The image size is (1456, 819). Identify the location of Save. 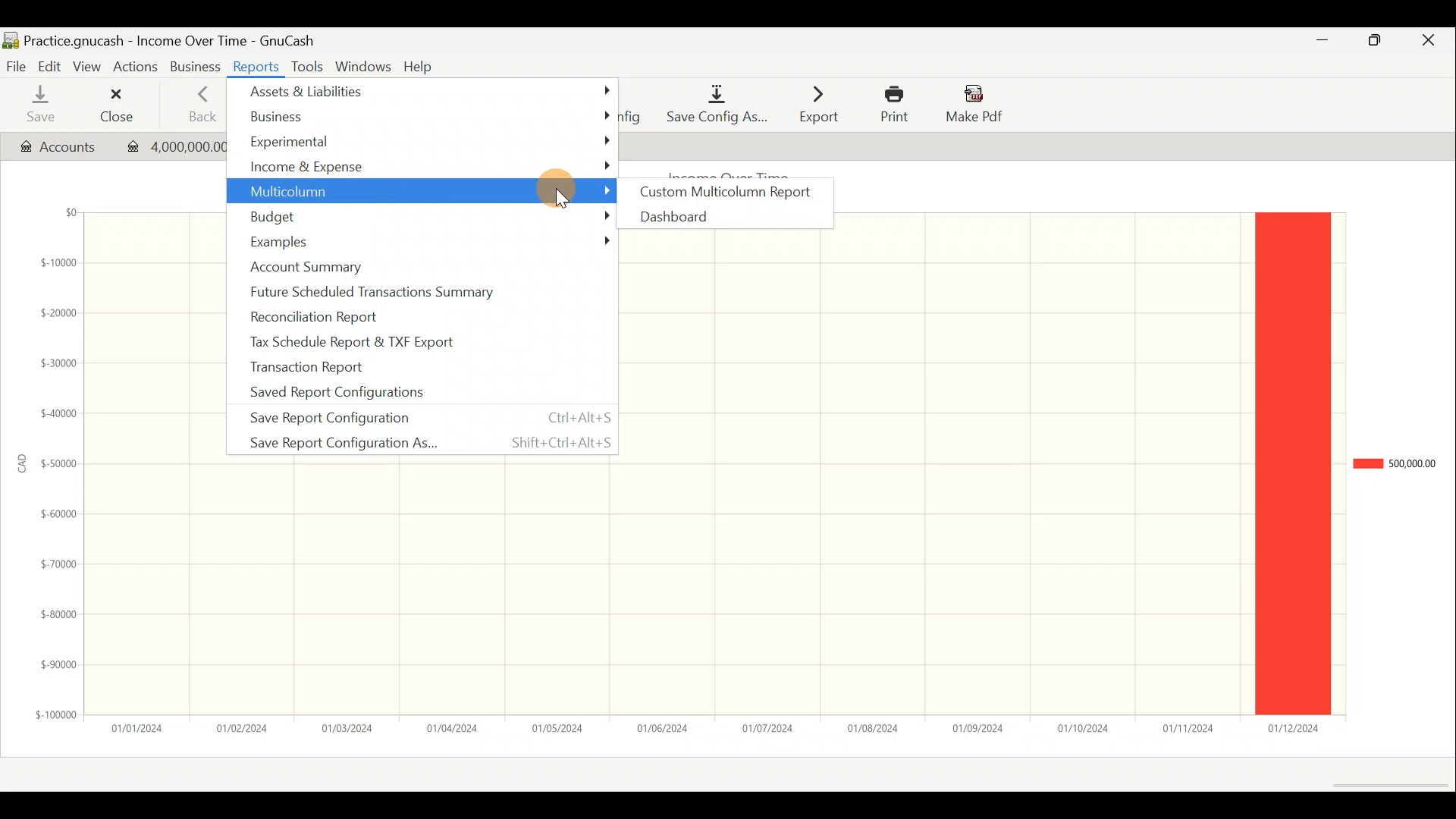
(40, 106).